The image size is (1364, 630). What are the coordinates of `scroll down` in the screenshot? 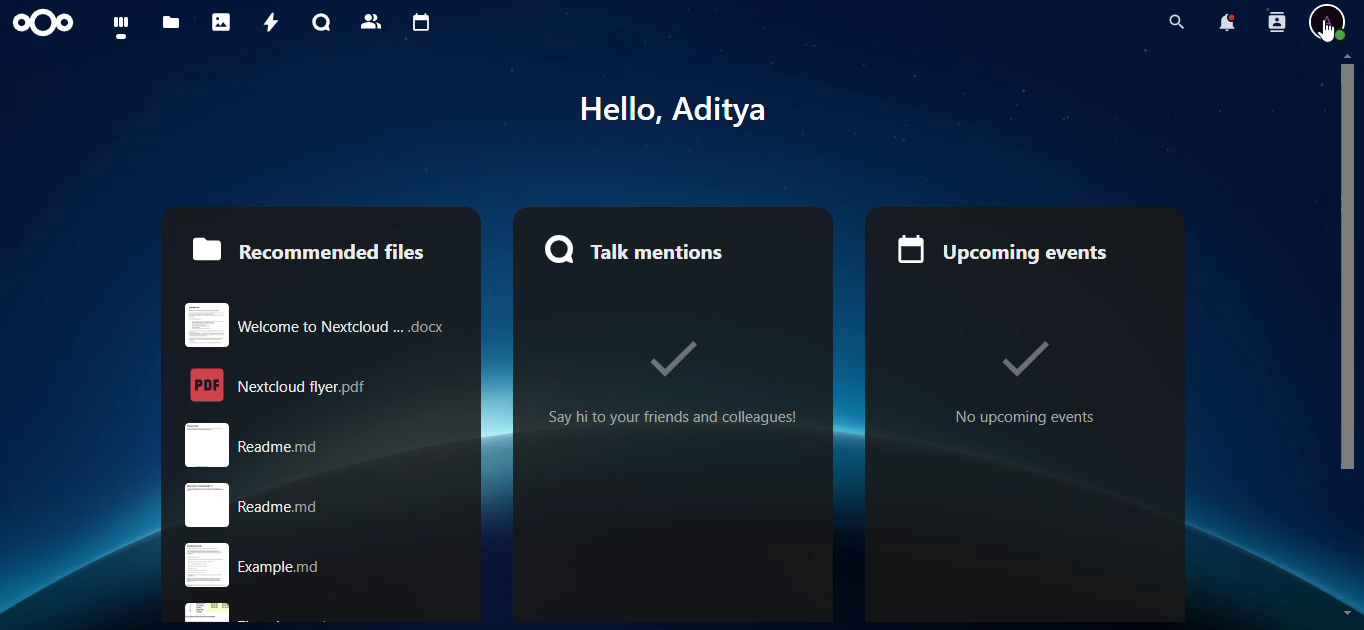 It's located at (1346, 610).